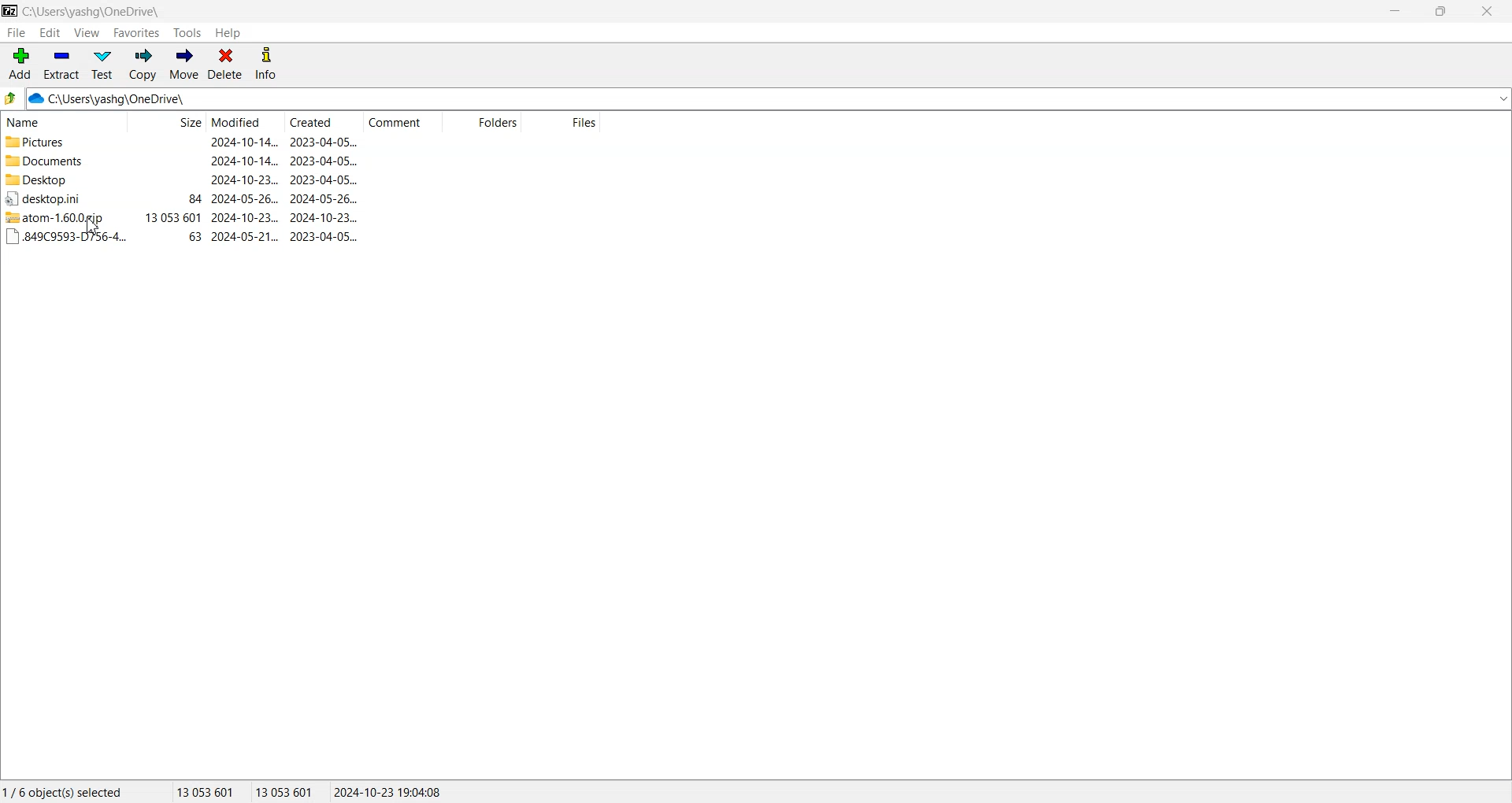  Describe the element at coordinates (265, 65) in the screenshot. I see `Info` at that location.